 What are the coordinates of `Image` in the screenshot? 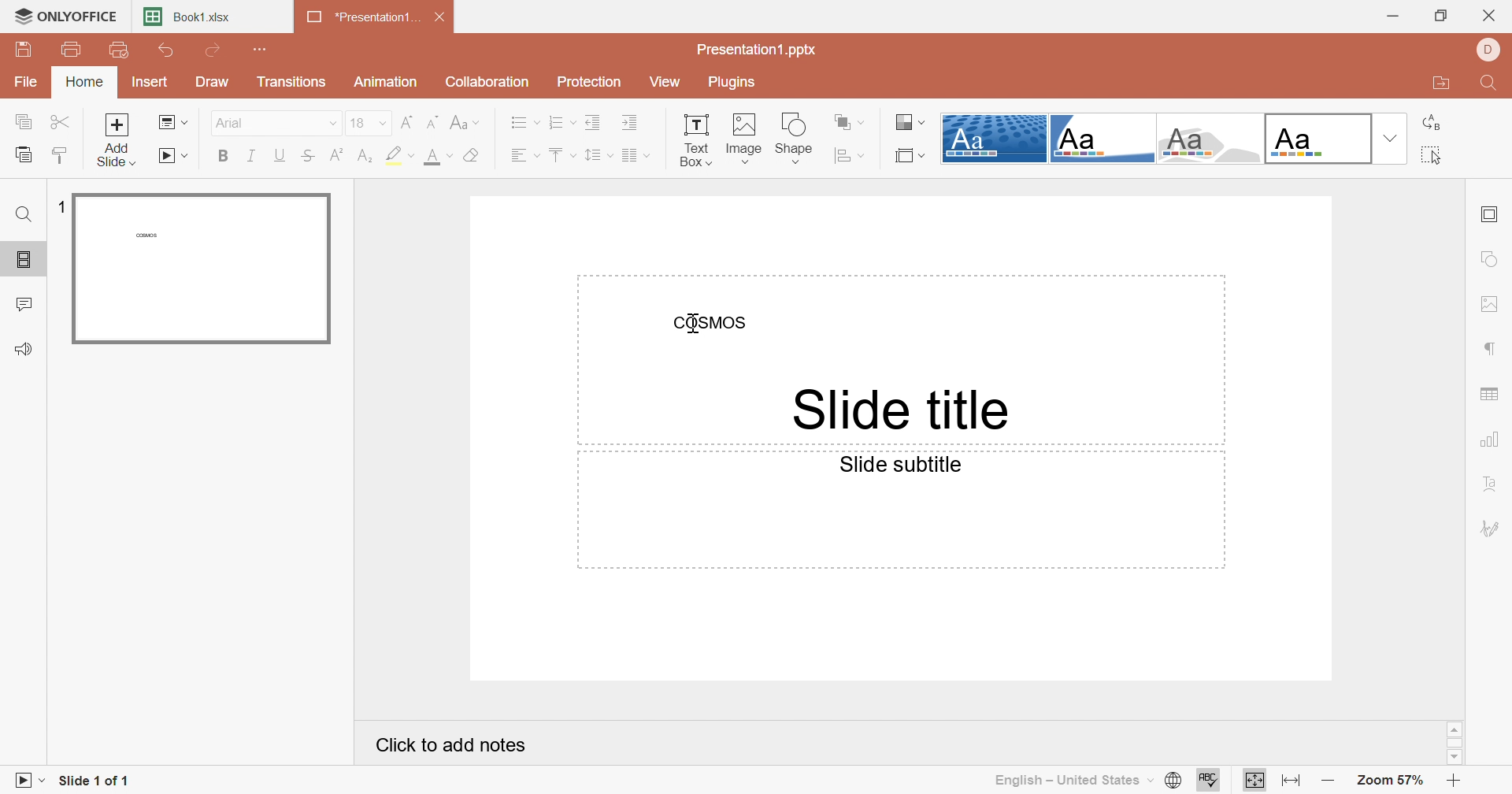 It's located at (745, 141).